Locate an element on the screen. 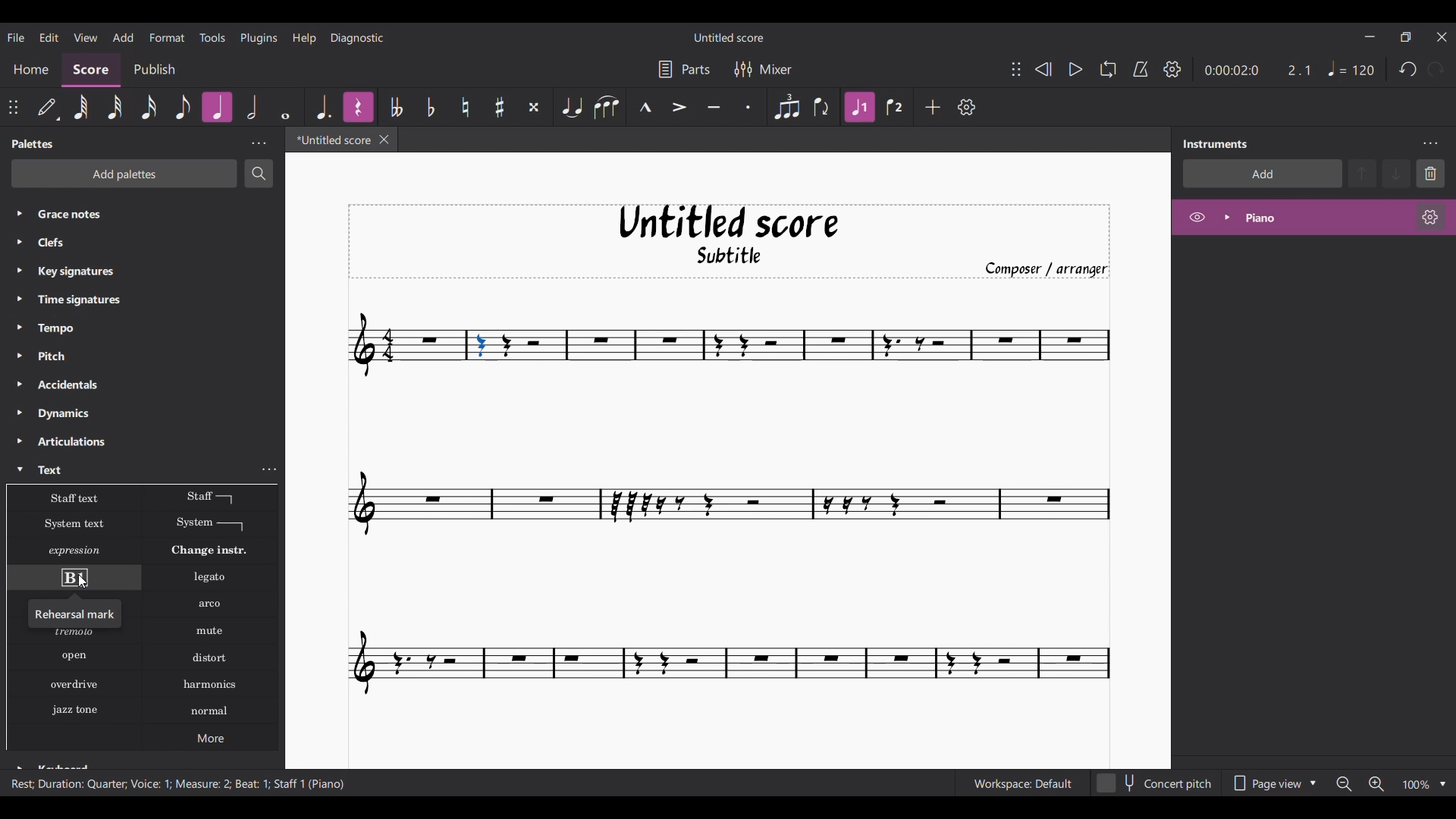 The width and height of the screenshot is (1456, 819). Format menu is located at coordinates (166, 36).